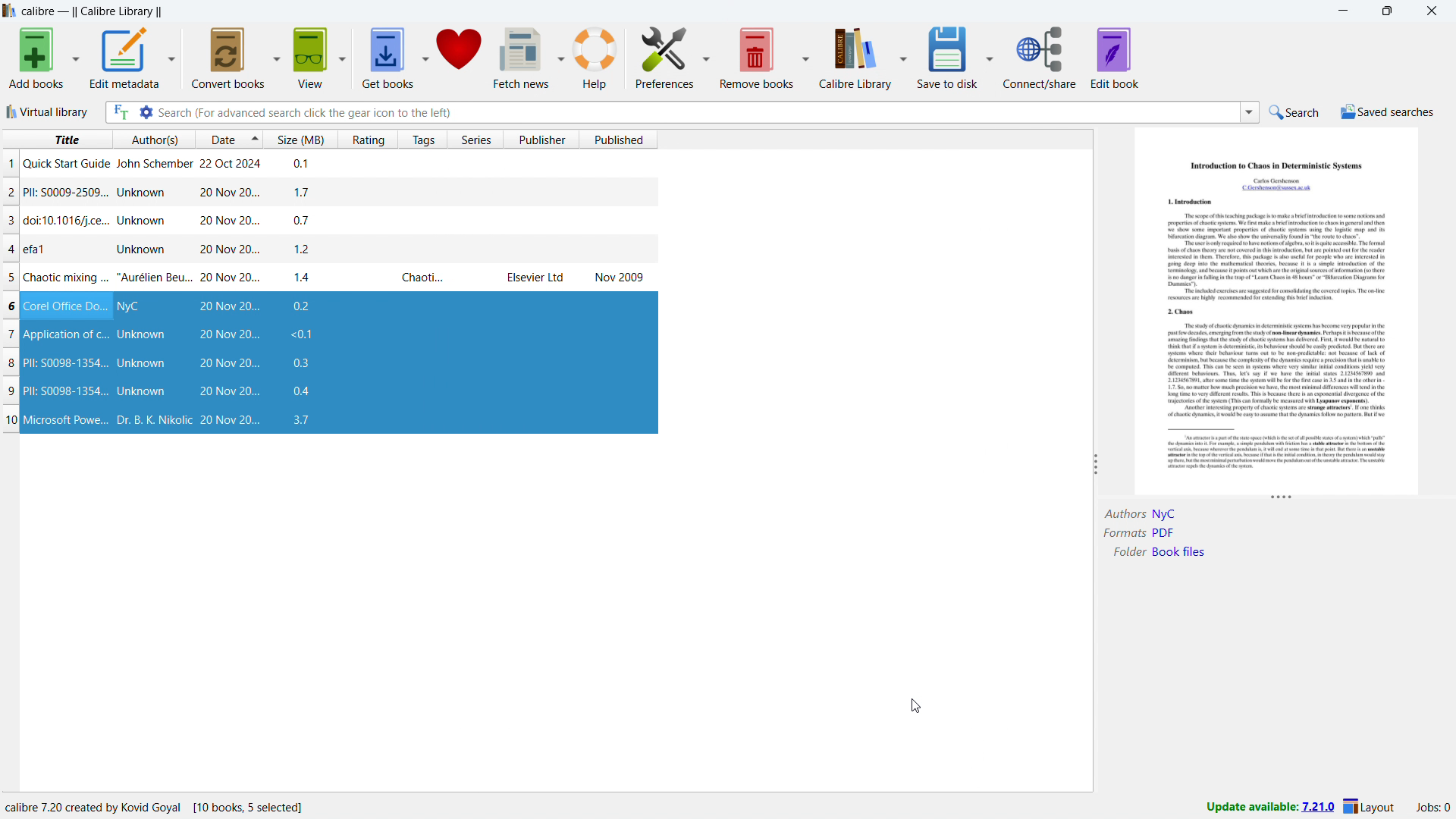 The width and height of the screenshot is (1456, 819). What do you see at coordinates (946, 56) in the screenshot?
I see `save to disk` at bounding box center [946, 56].